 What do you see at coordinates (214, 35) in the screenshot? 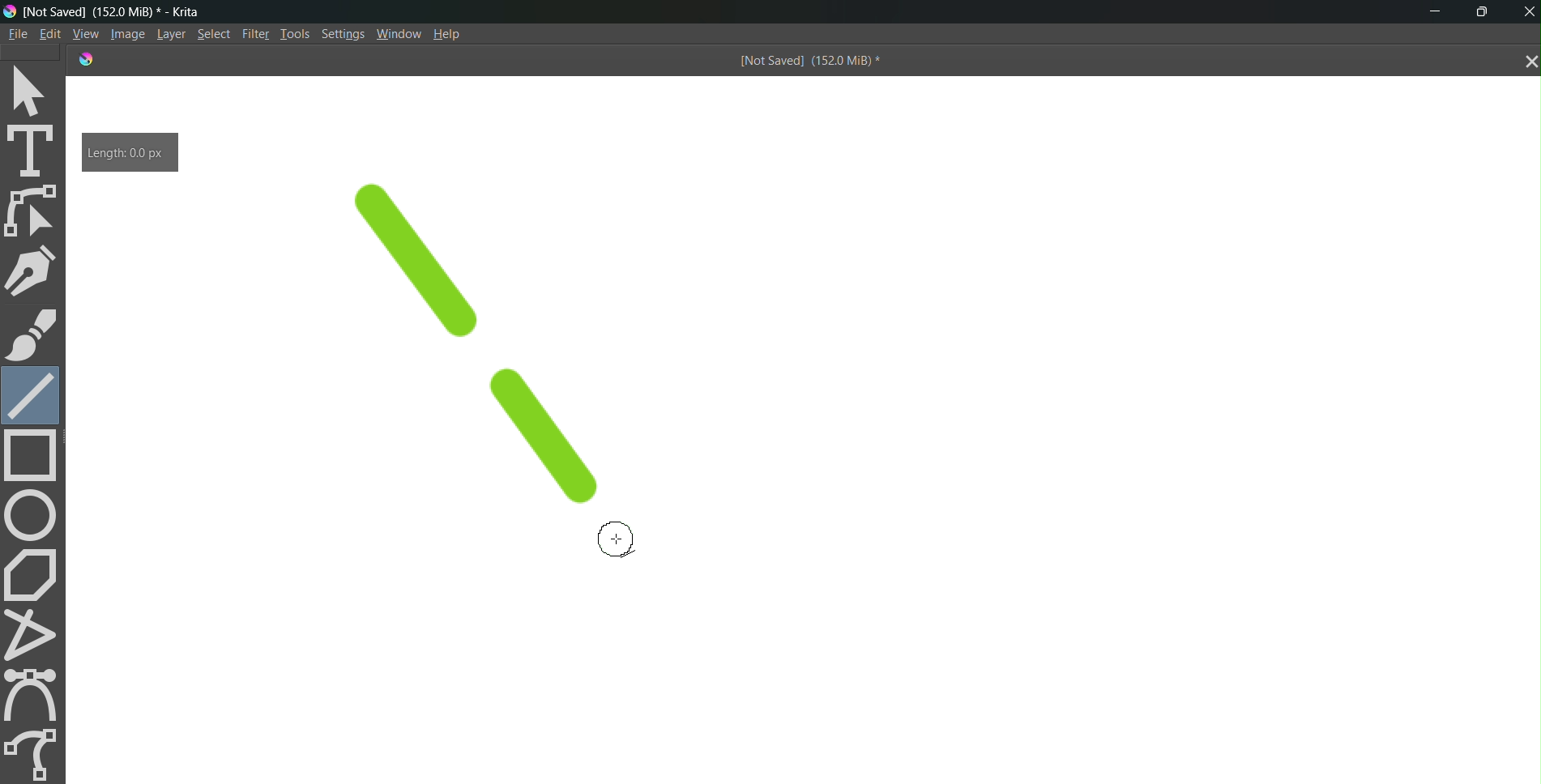
I see `Select` at bounding box center [214, 35].